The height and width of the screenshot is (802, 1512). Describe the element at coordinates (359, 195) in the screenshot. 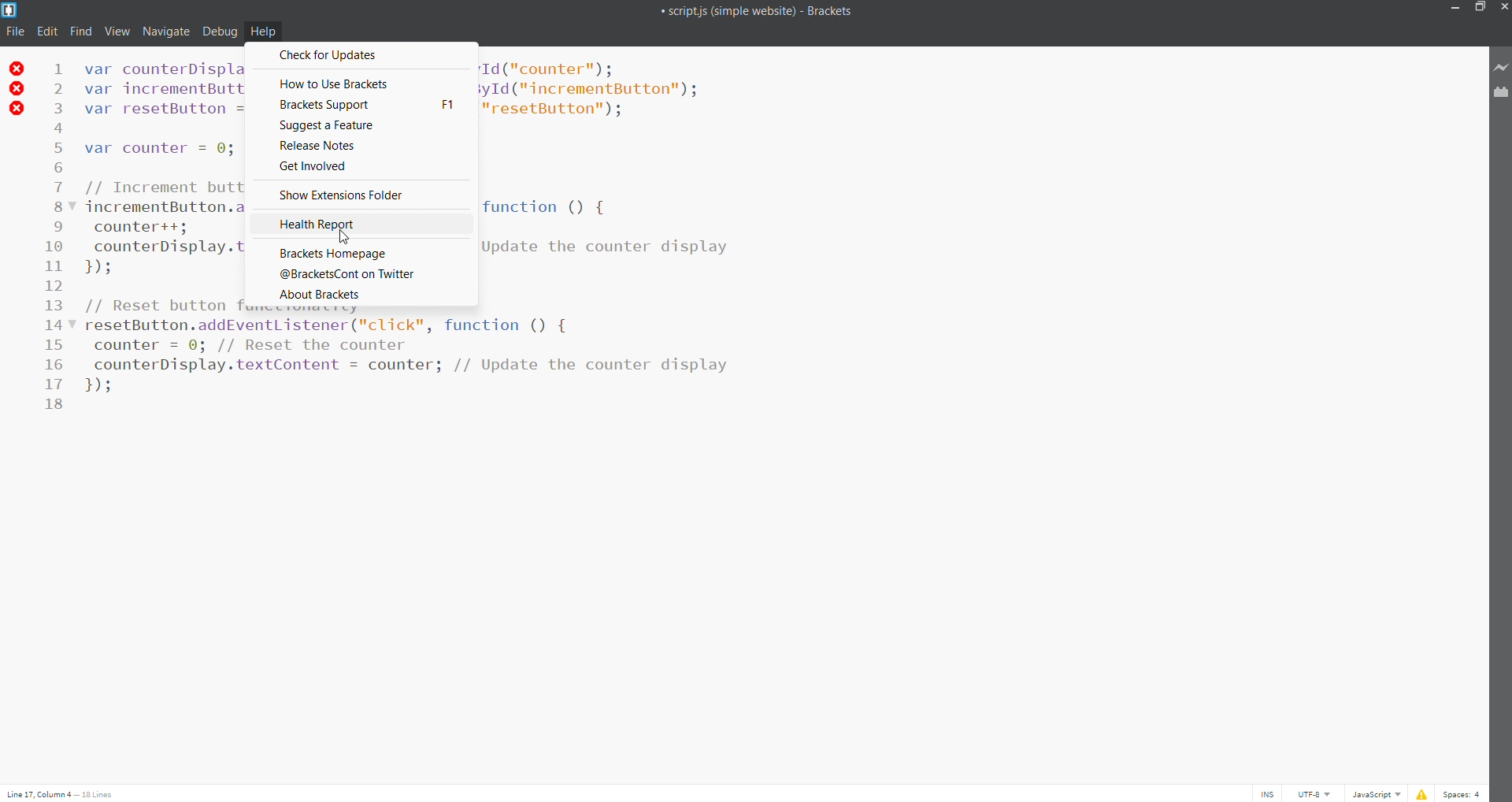

I see `show extensions folder` at that location.